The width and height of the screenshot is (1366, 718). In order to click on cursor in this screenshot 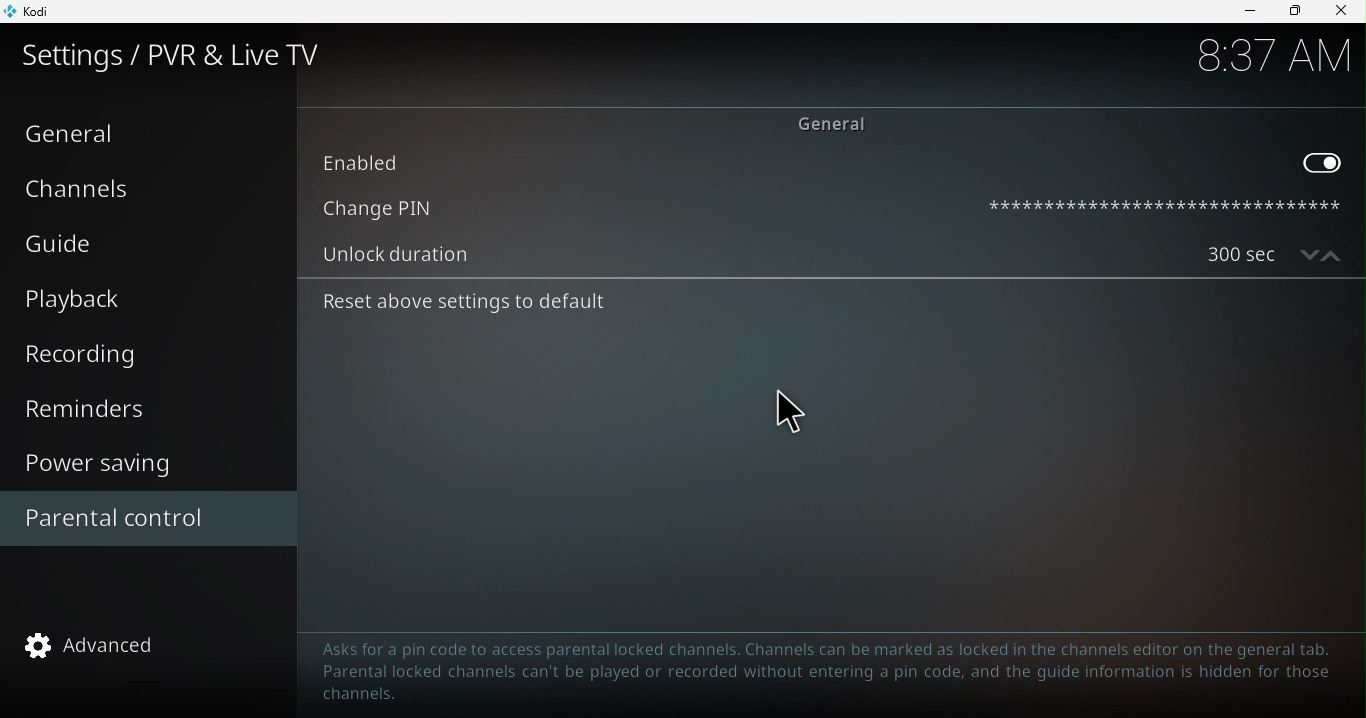, I will do `click(793, 415)`.